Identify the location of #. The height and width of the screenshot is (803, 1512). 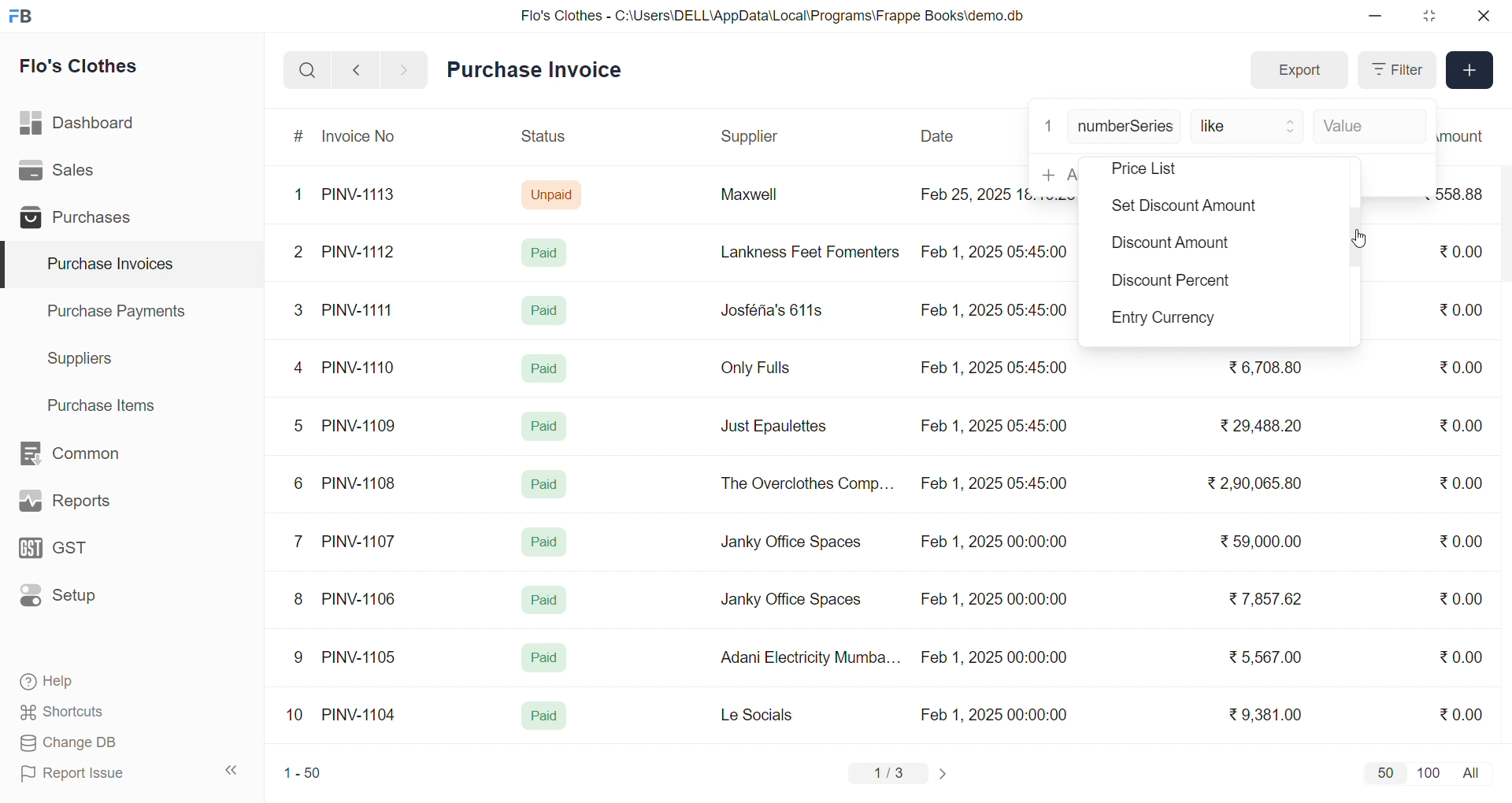
(299, 138).